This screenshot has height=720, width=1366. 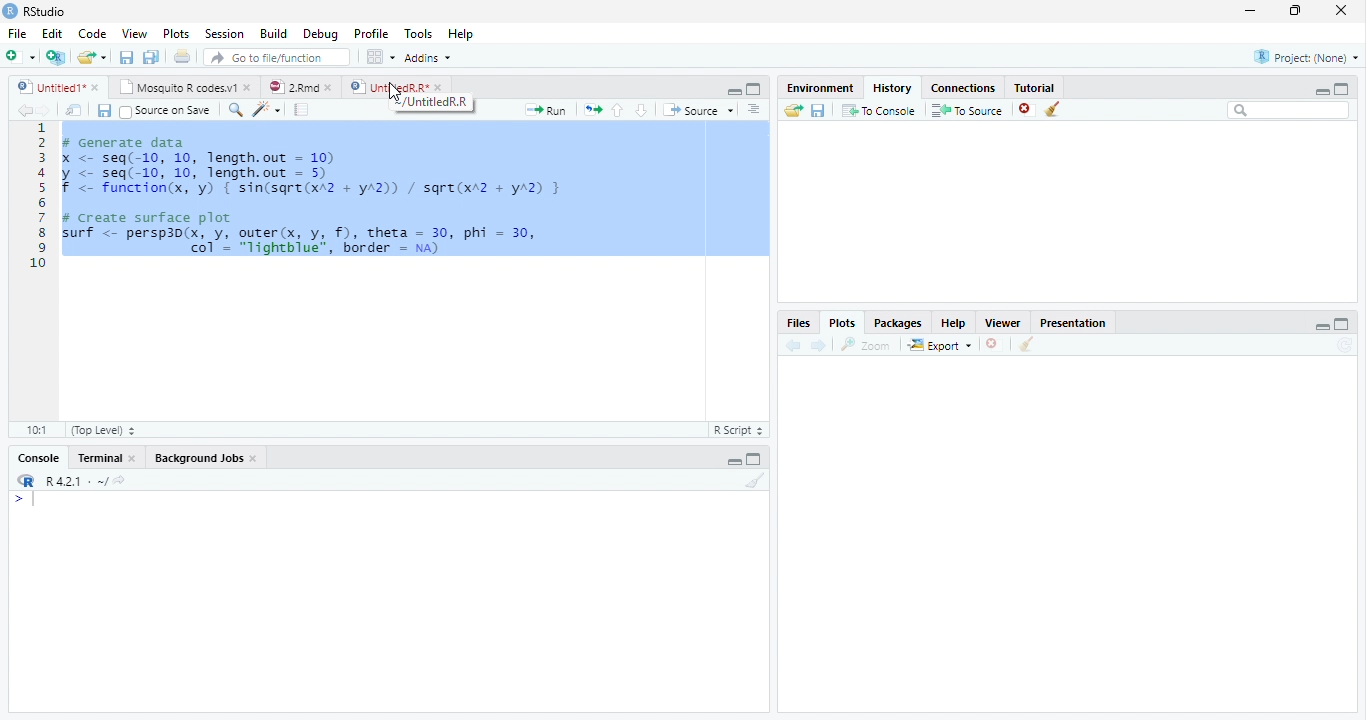 What do you see at coordinates (24, 480) in the screenshot?
I see `R` at bounding box center [24, 480].